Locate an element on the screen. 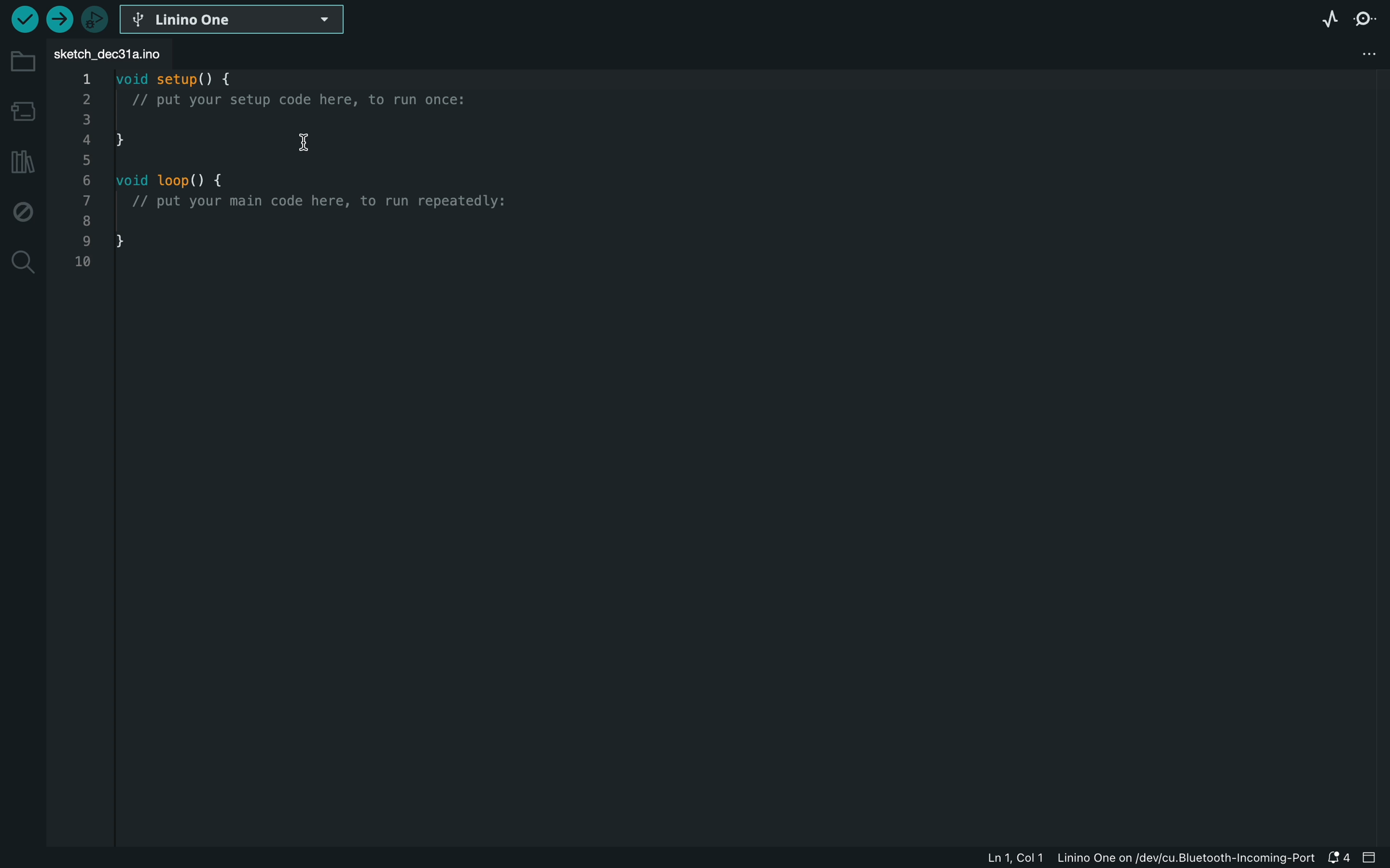 This screenshot has height=868, width=1390. notification is located at coordinates (1341, 858).